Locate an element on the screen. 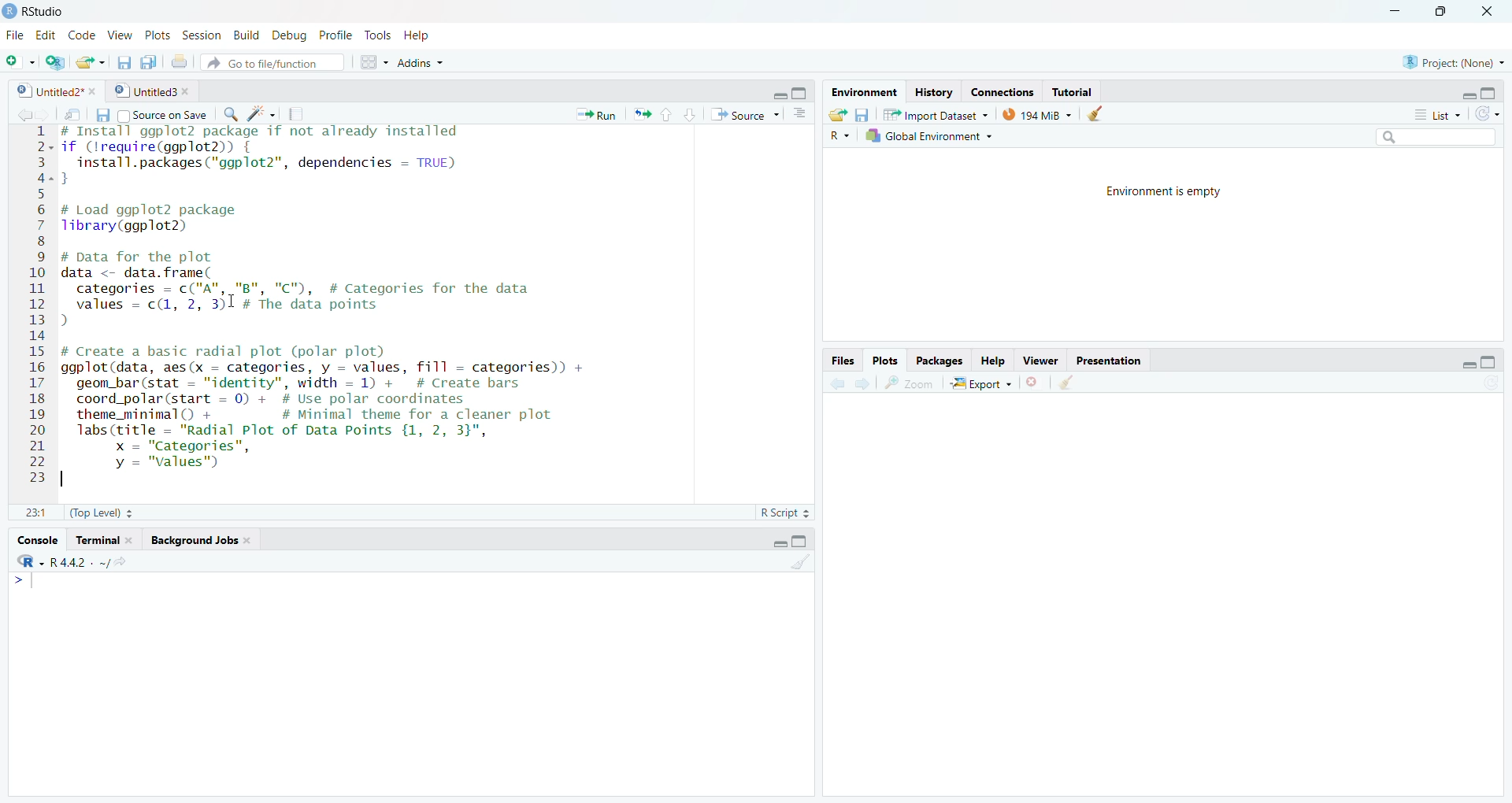 The height and width of the screenshot is (803, 1512). Maximize is located at coordinates (802, 540).